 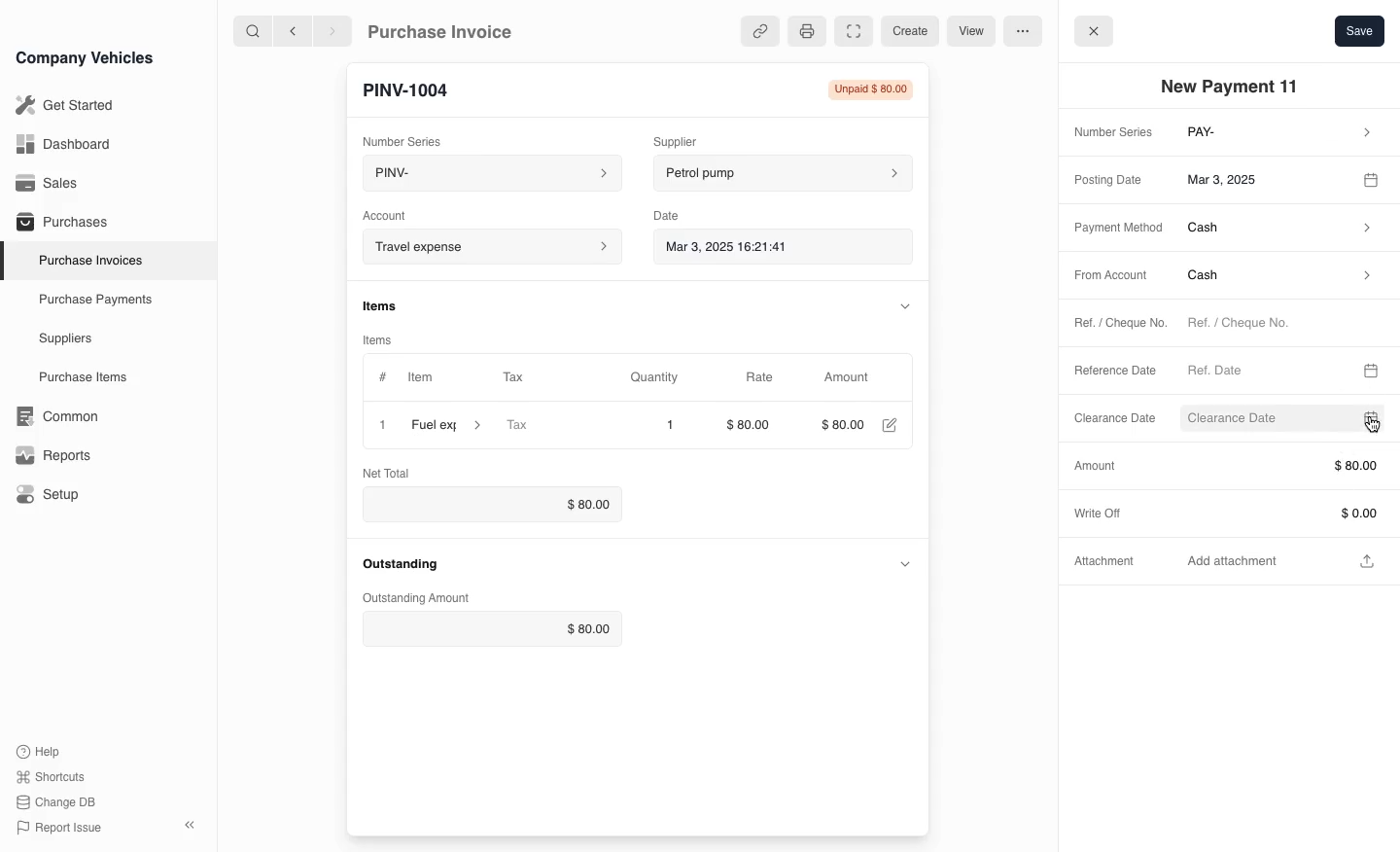 What do you see at coordinates (412, 598) in the screenshot?
I see `Outstanding Amount` at bounding box center [412, 598].